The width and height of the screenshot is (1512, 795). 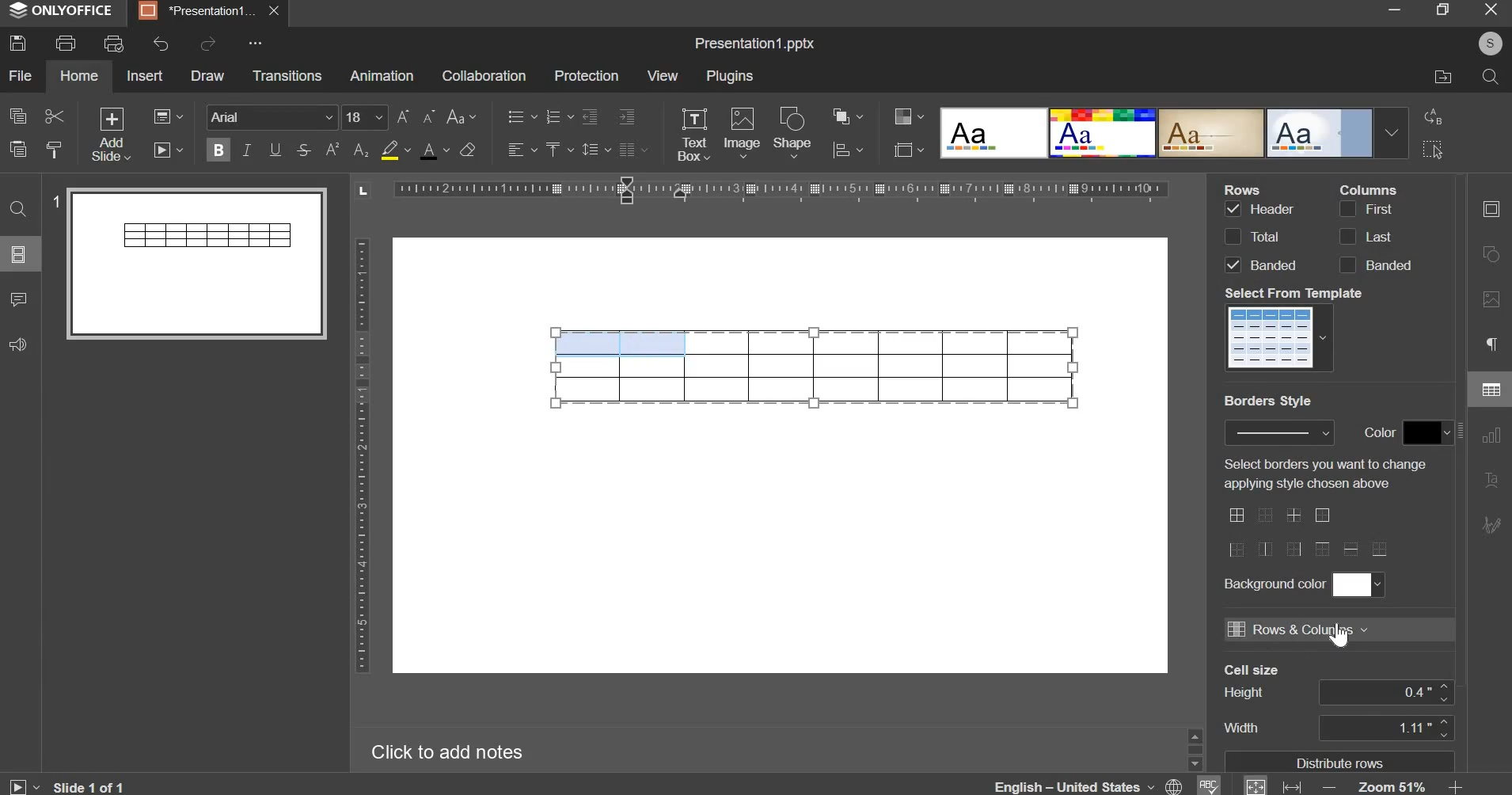 I want to click on underline, so click(x=274, y=149).